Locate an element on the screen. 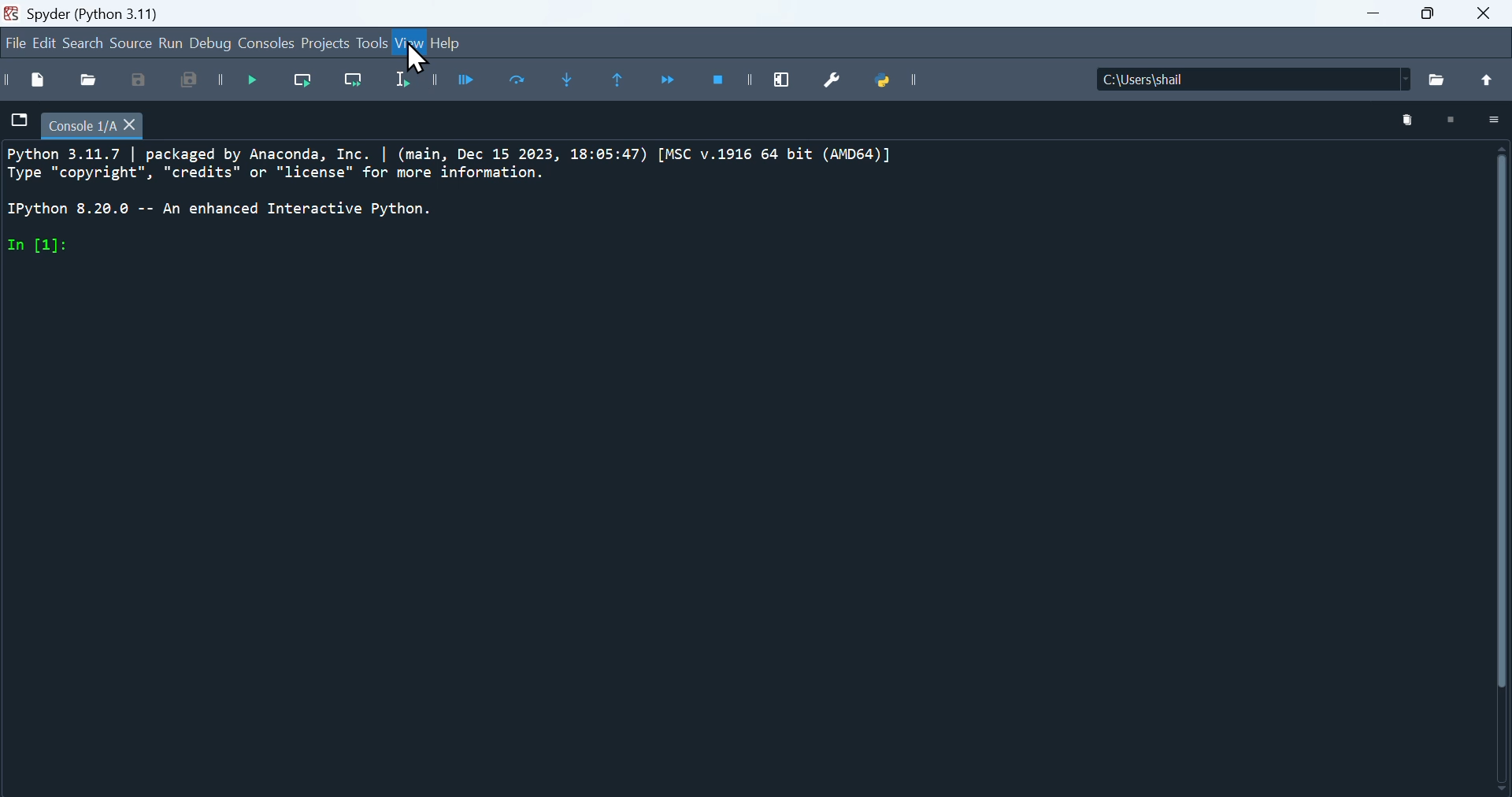 The width and height of the screenshot is (1512, 797). Vertical scroll bar is located at coordinates (1493, 472).